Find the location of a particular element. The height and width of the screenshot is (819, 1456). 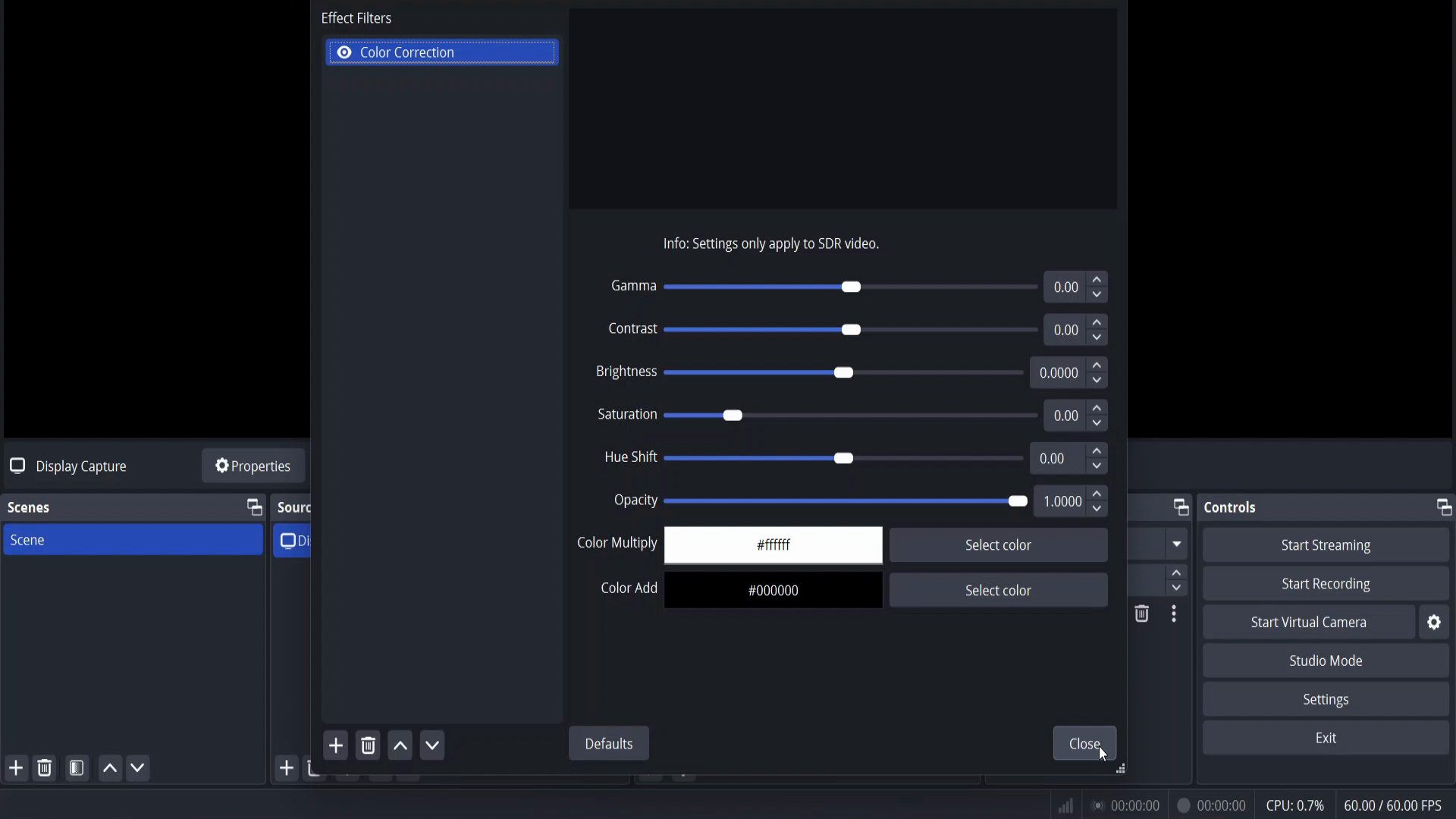

remove selected scene is located at coordinates (46, 767).